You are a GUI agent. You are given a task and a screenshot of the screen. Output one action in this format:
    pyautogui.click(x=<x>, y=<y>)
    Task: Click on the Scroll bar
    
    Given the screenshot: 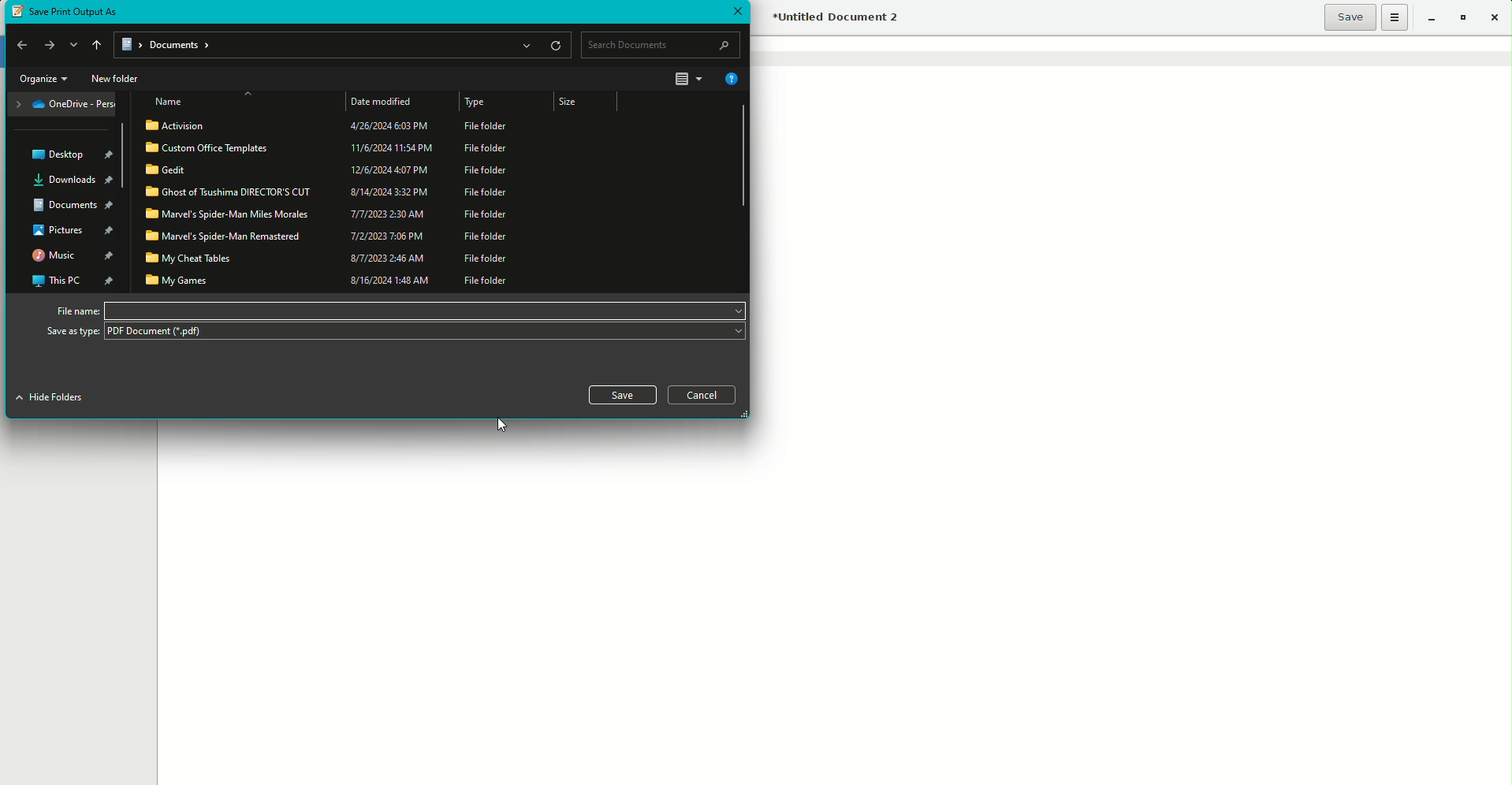 What is the action you would take?
    pyautogui.click(x=740, y=155)
    